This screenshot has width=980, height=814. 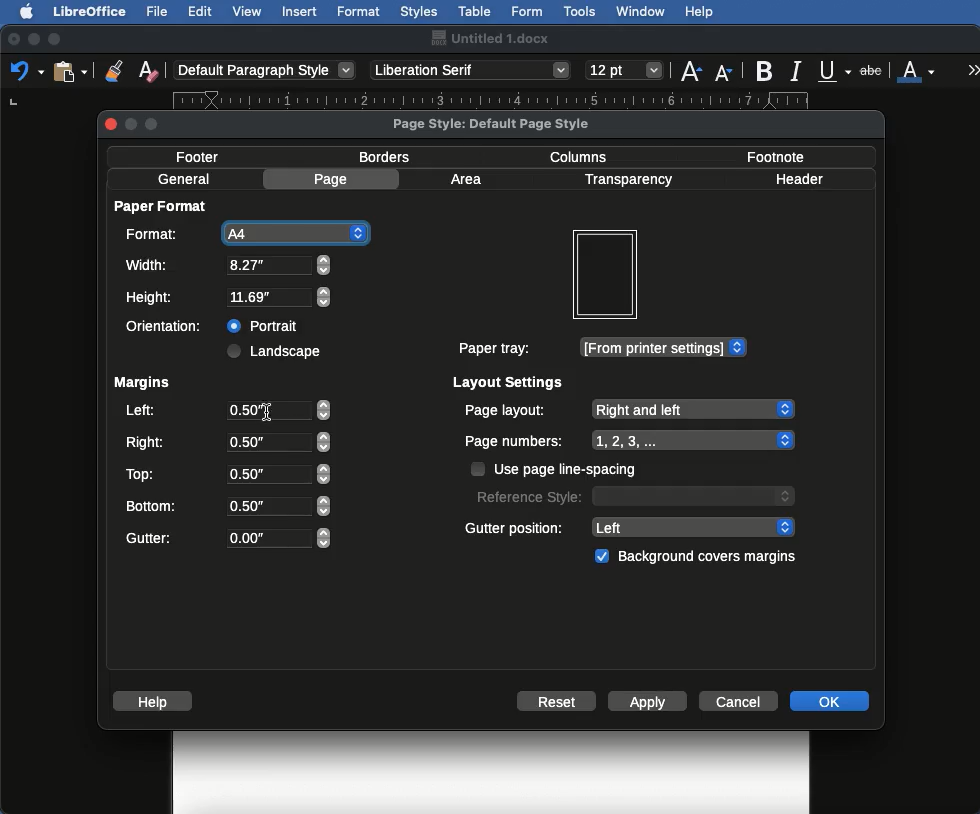 I want to click on File, so click(x=159, y=11).